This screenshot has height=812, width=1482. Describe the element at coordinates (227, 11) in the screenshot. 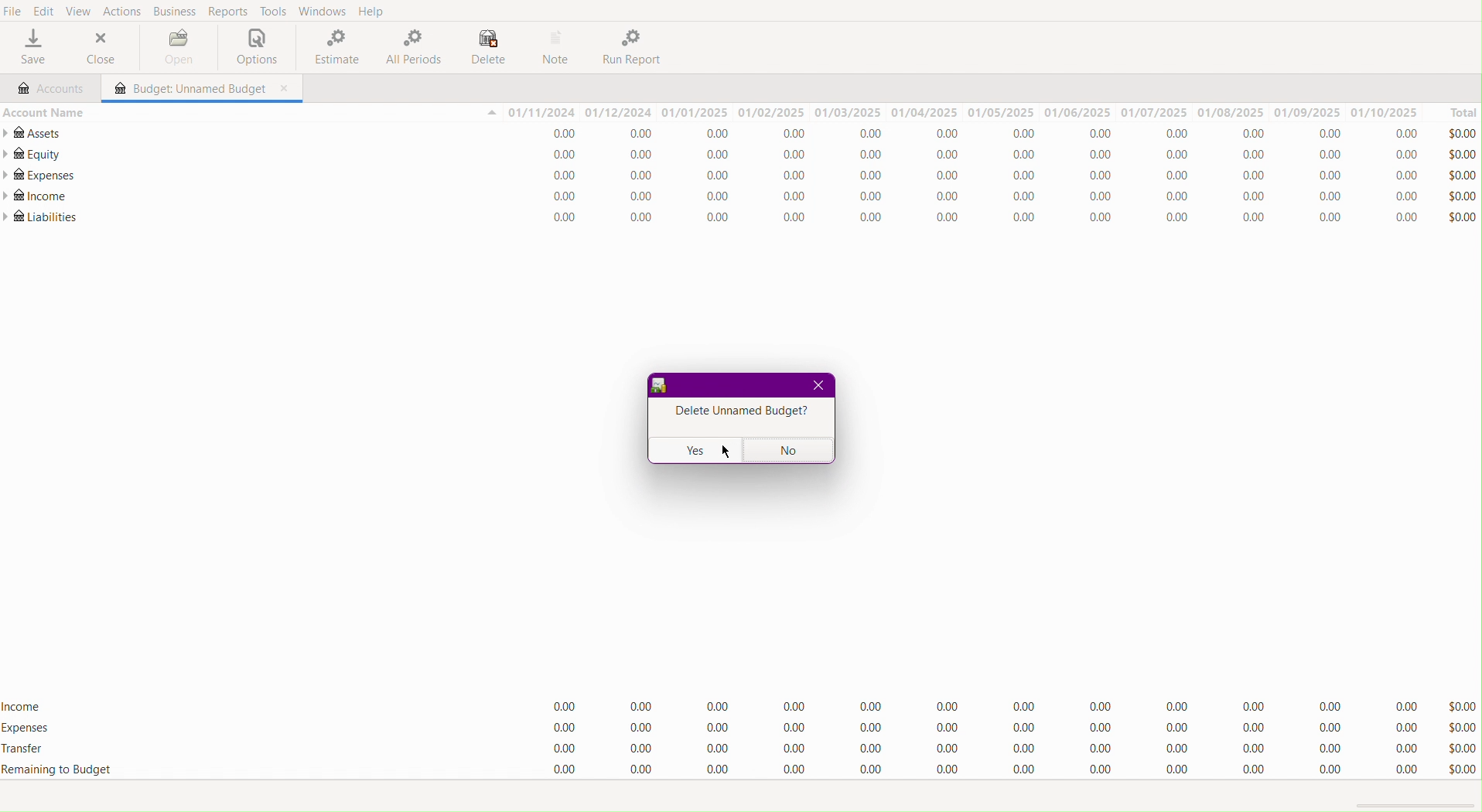

I see `Reports` at that location.